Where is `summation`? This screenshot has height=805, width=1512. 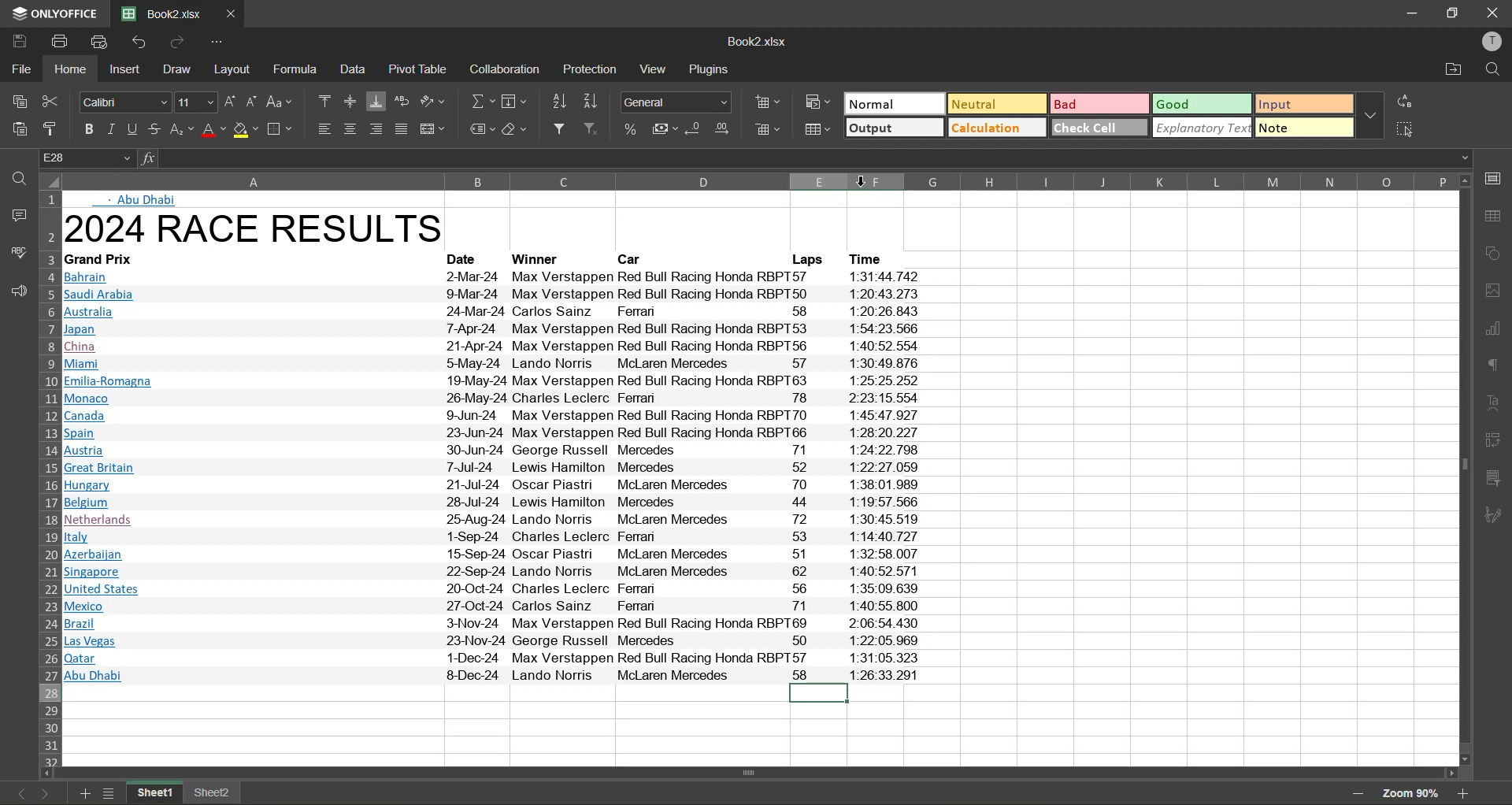
summation is located at coordinates (478, 102).